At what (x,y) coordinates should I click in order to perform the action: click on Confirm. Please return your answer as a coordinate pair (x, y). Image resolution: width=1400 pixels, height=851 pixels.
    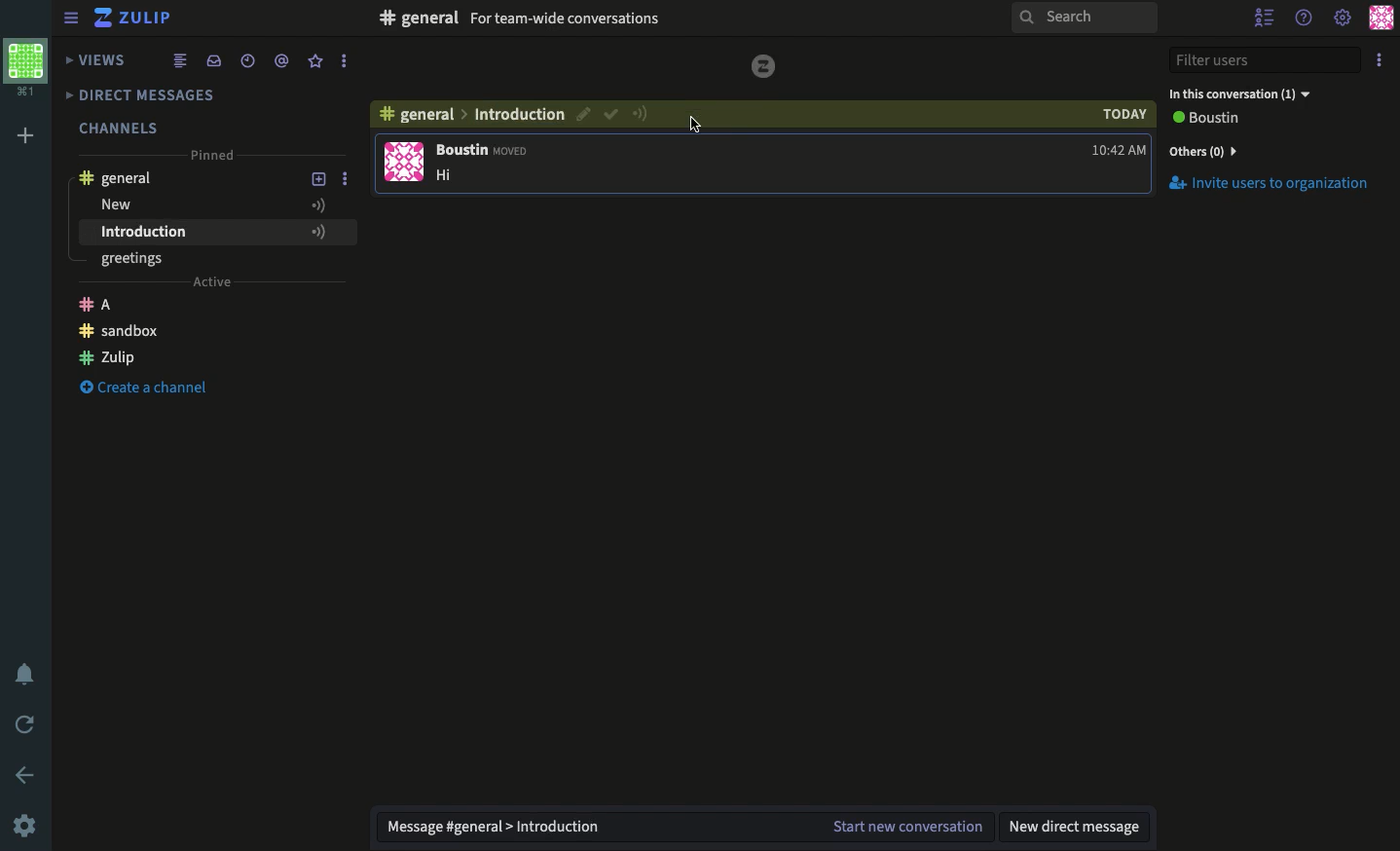
    Looking at the image, I should click on (584, 114).